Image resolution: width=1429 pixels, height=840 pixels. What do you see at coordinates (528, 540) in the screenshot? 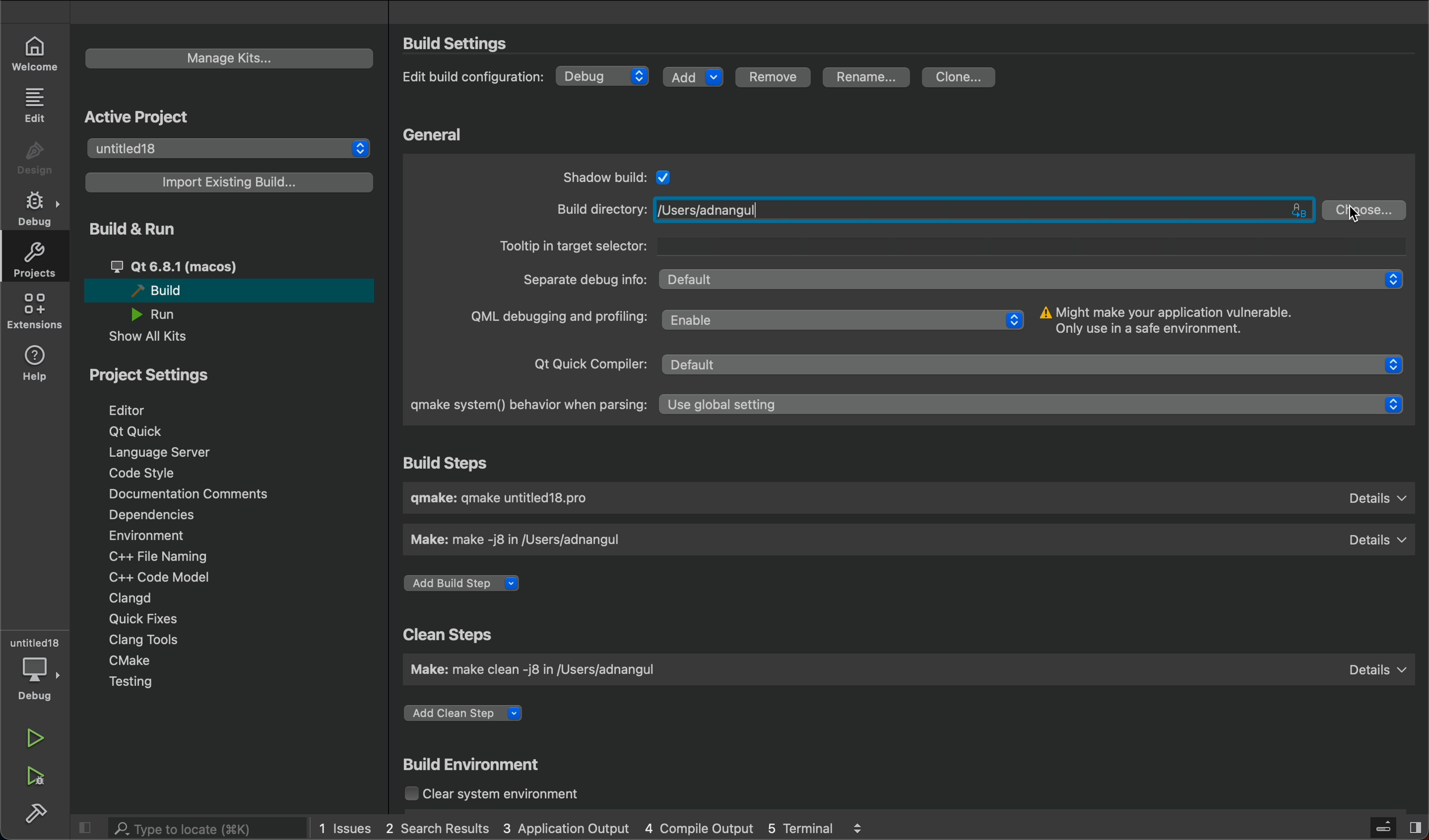
I see `Make: make -j8 in /Users/adnangul` at bounding box center [528, 540].